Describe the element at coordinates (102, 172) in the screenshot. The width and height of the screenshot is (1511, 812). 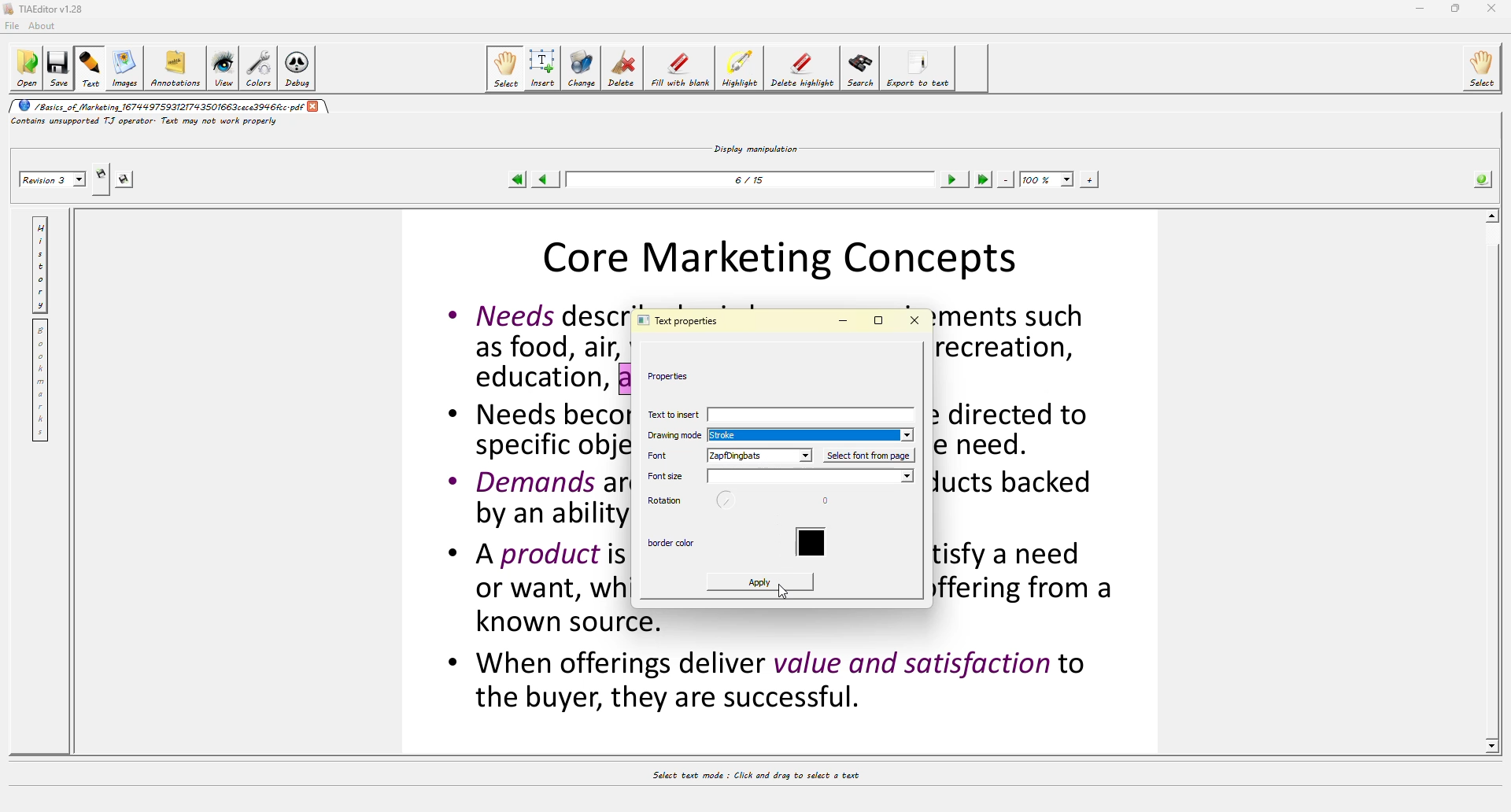
I see `create new revision` at that location.